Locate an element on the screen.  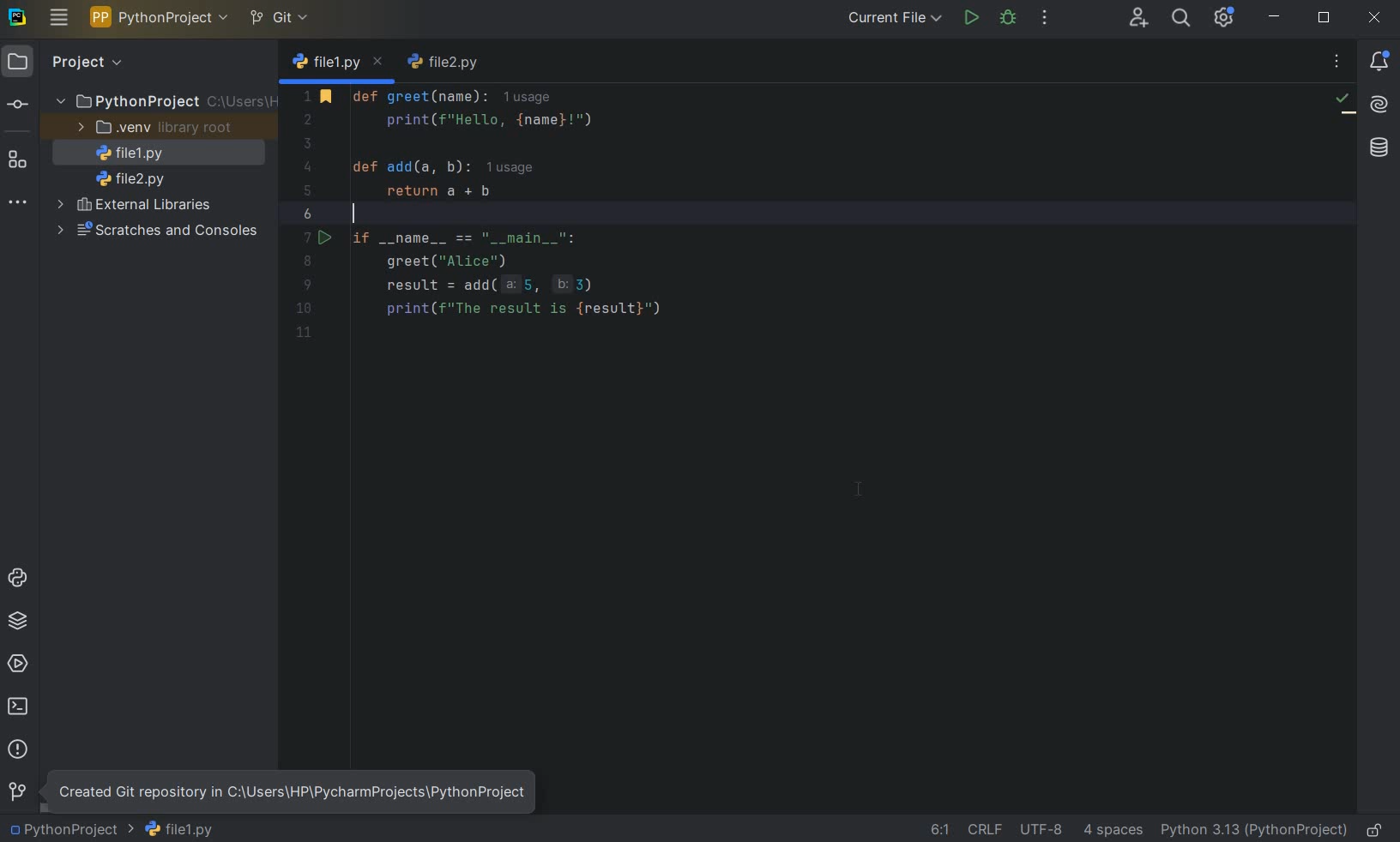
structure is located at coordinates (18, 164).